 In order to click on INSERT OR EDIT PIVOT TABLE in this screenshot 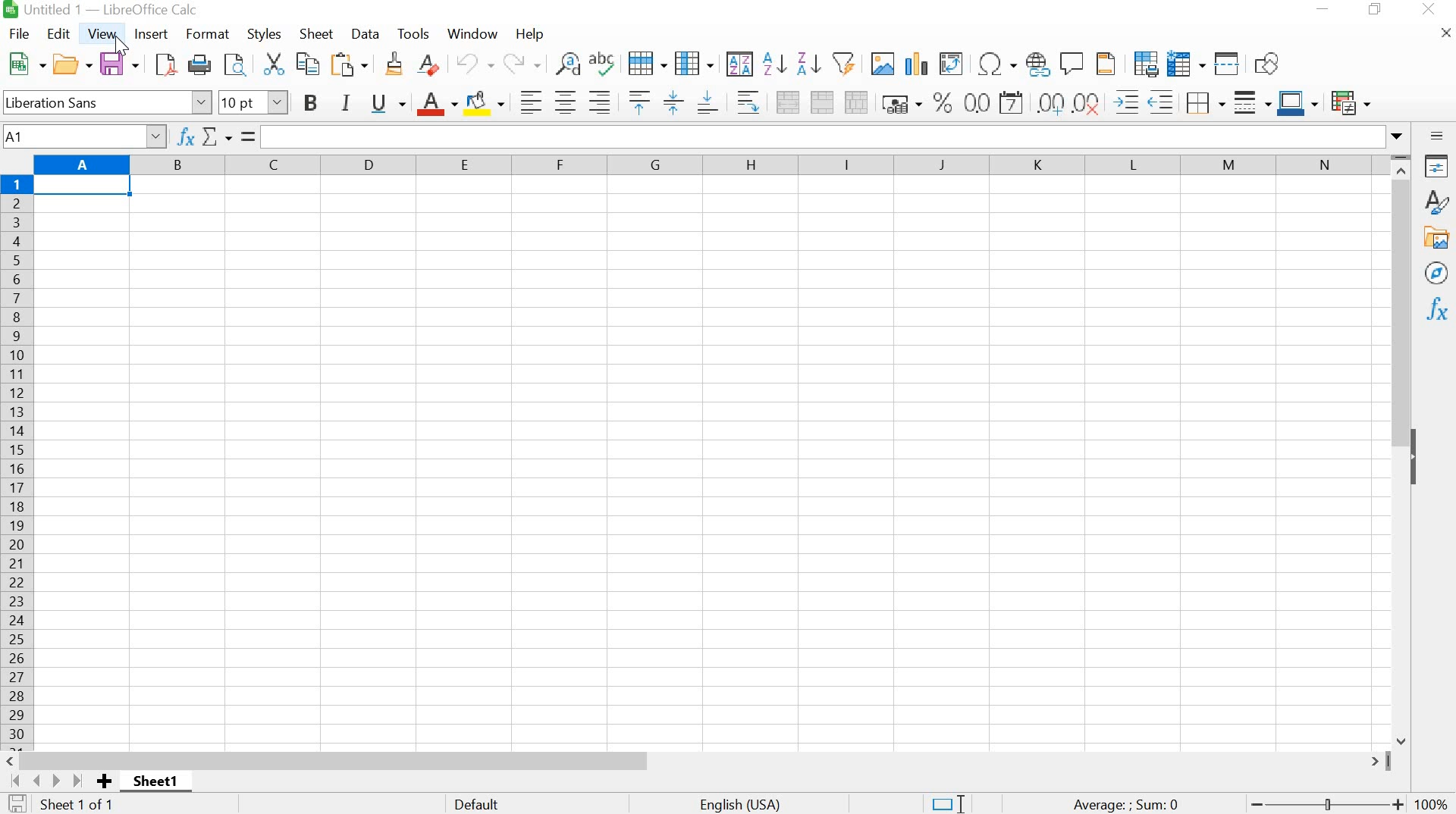, I will do `click(951, 64)`.